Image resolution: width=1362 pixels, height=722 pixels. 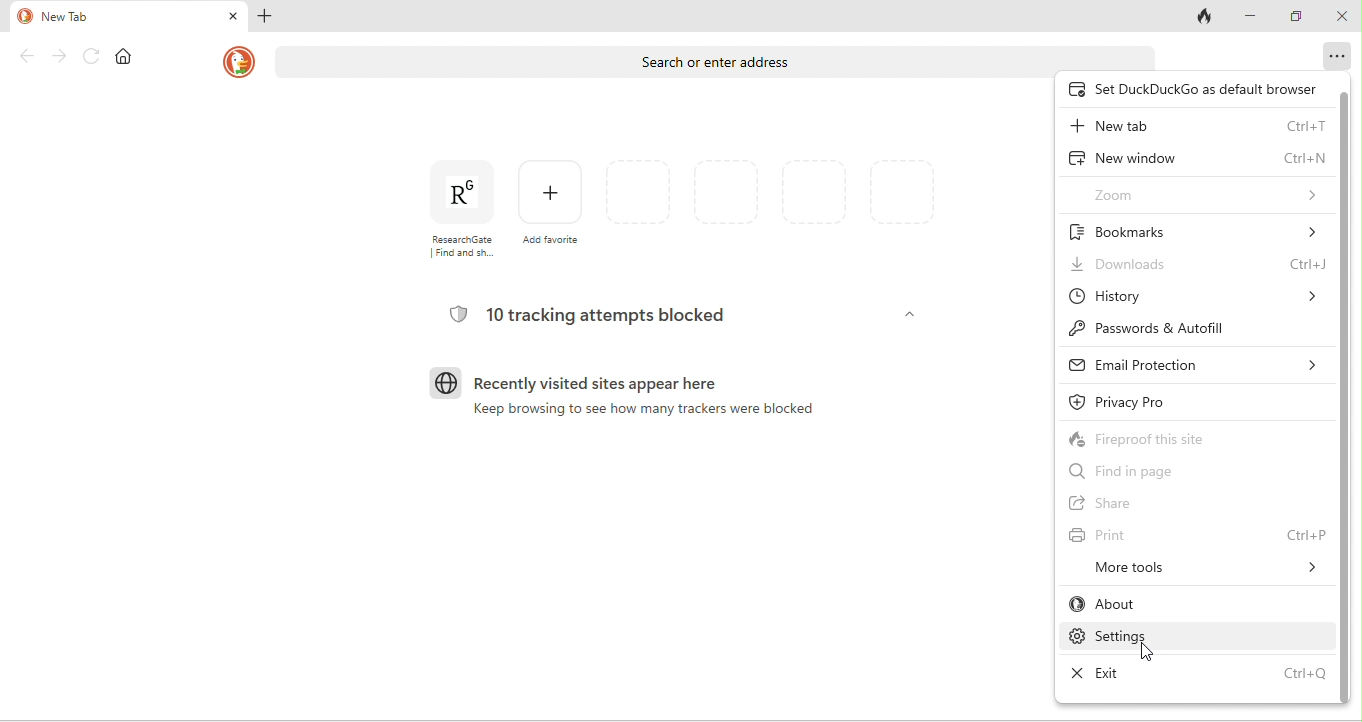 I want to click on passwords and autofill, so click(x=1152, y=327).